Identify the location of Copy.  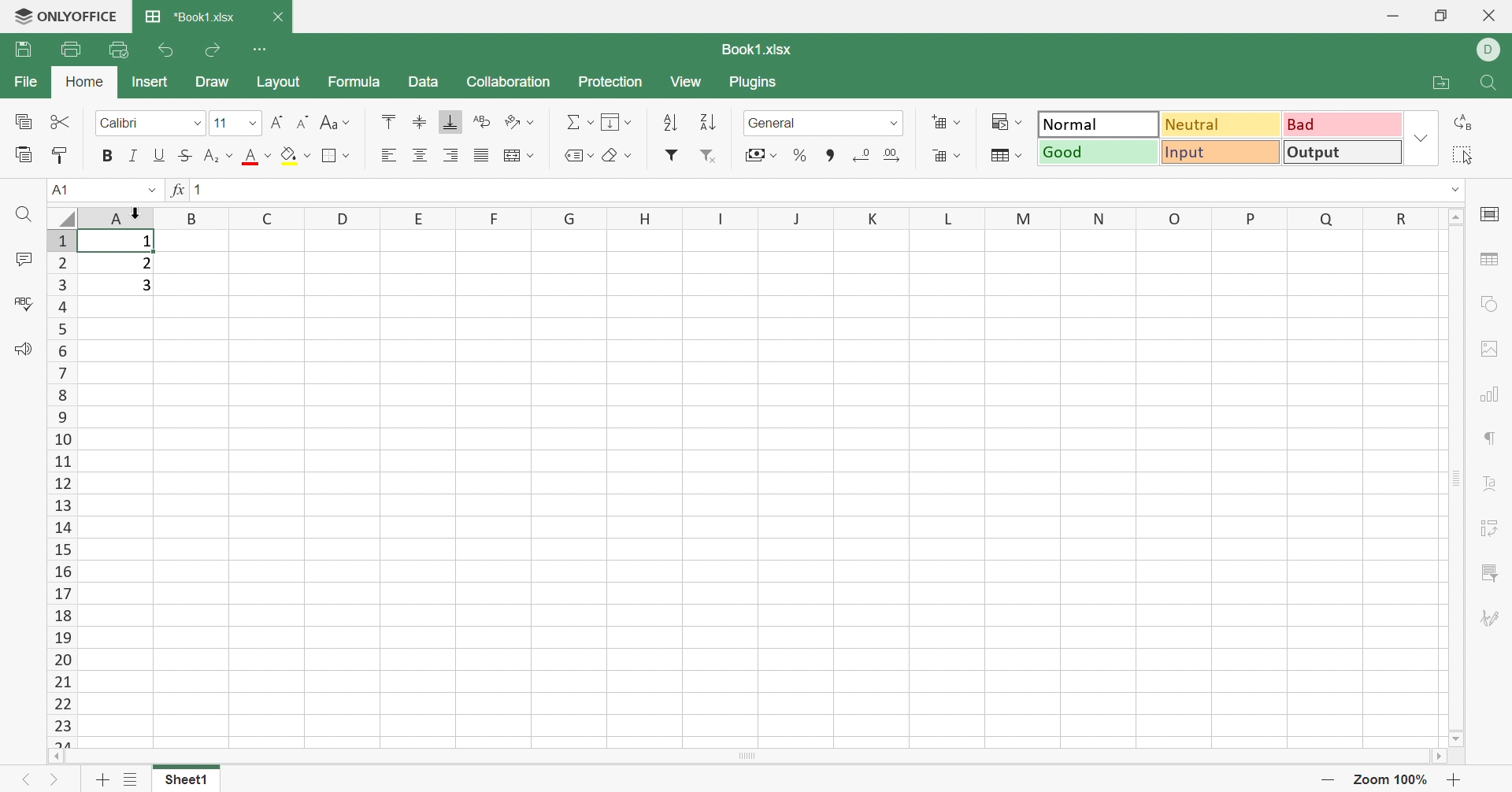
(24, 121).